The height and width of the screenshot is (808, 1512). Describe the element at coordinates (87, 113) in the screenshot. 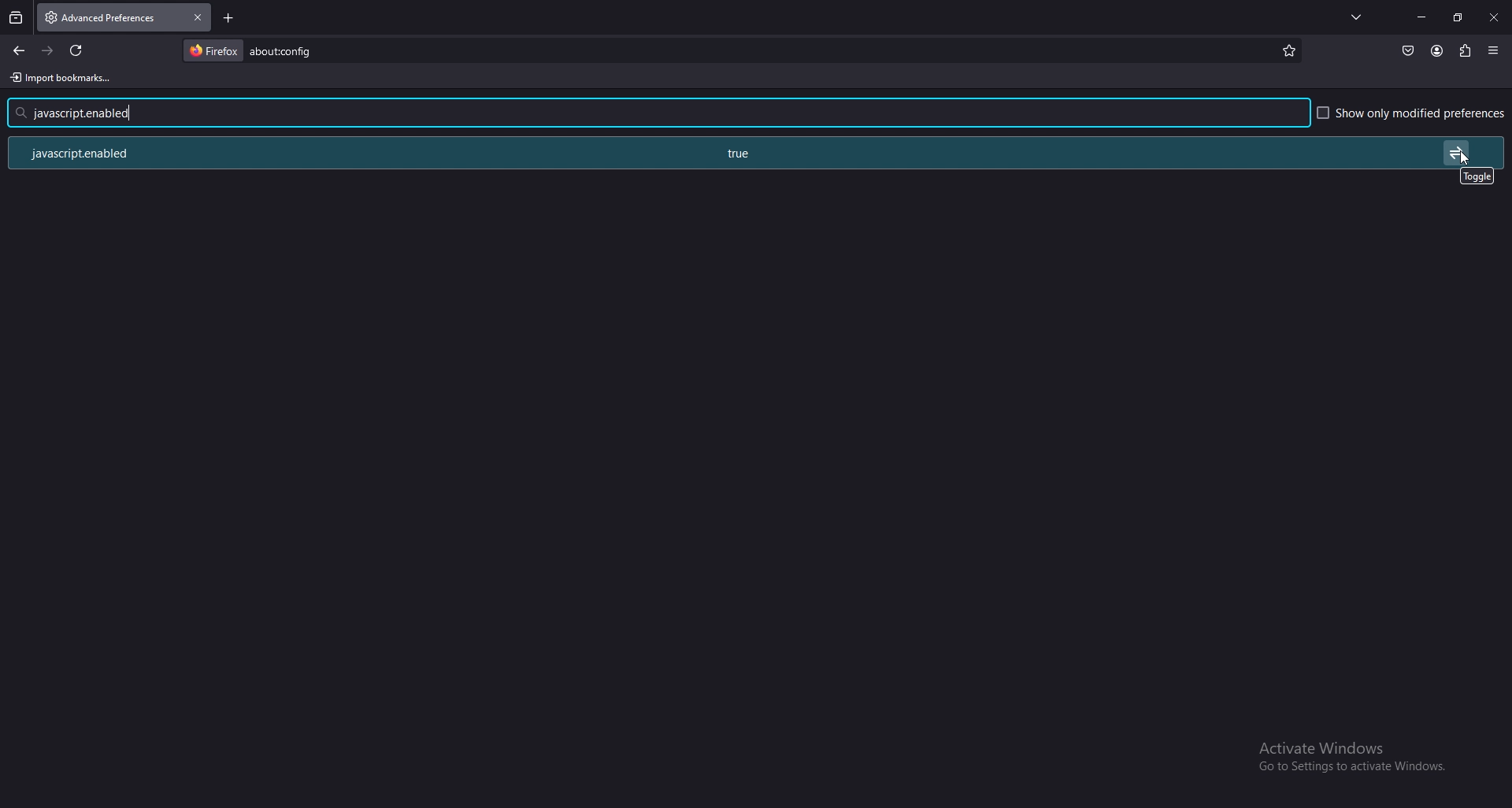

I see `seach` at that location.